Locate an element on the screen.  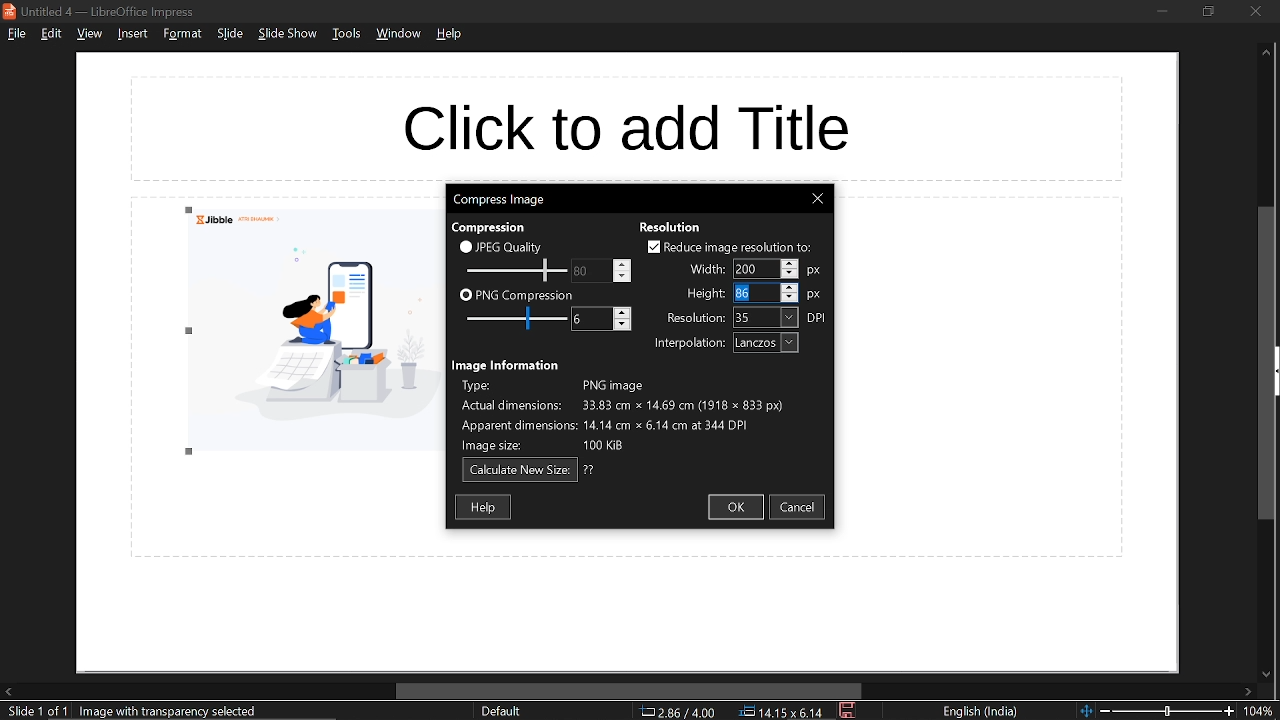
interpolation is located at coordinates (766, 343).